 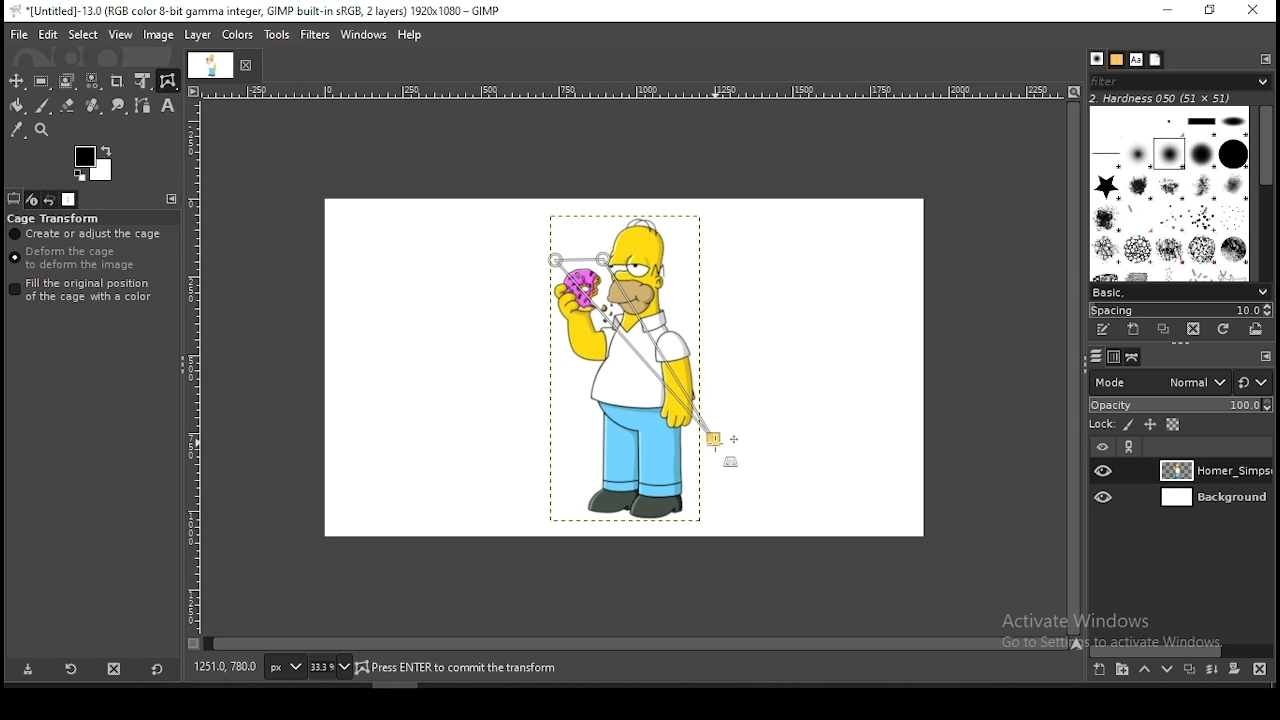 I want to click on cage transform tool, so click(x=168, y=81).